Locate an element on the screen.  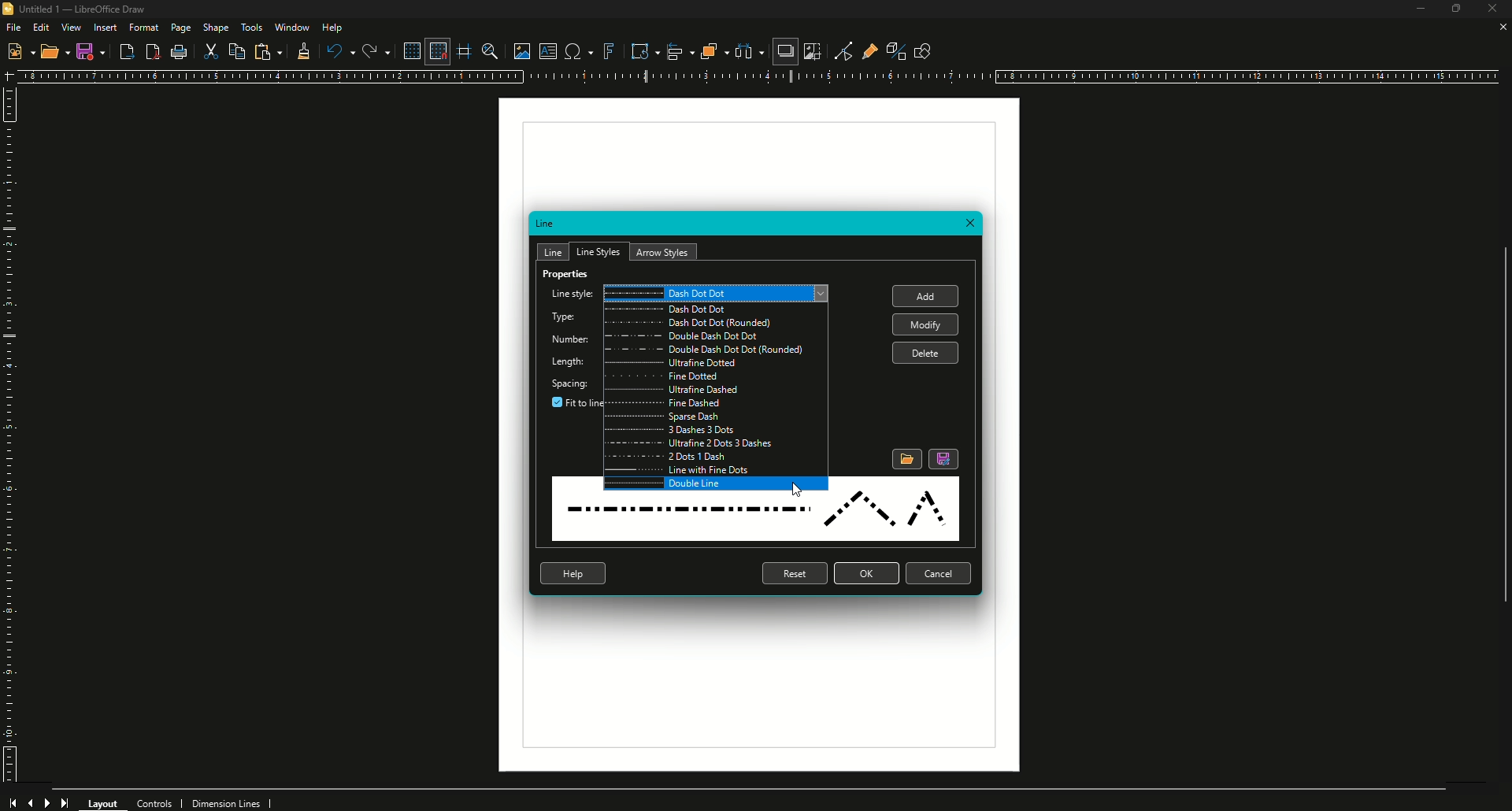
Arrow Styles is located at coordinates (665, 252).